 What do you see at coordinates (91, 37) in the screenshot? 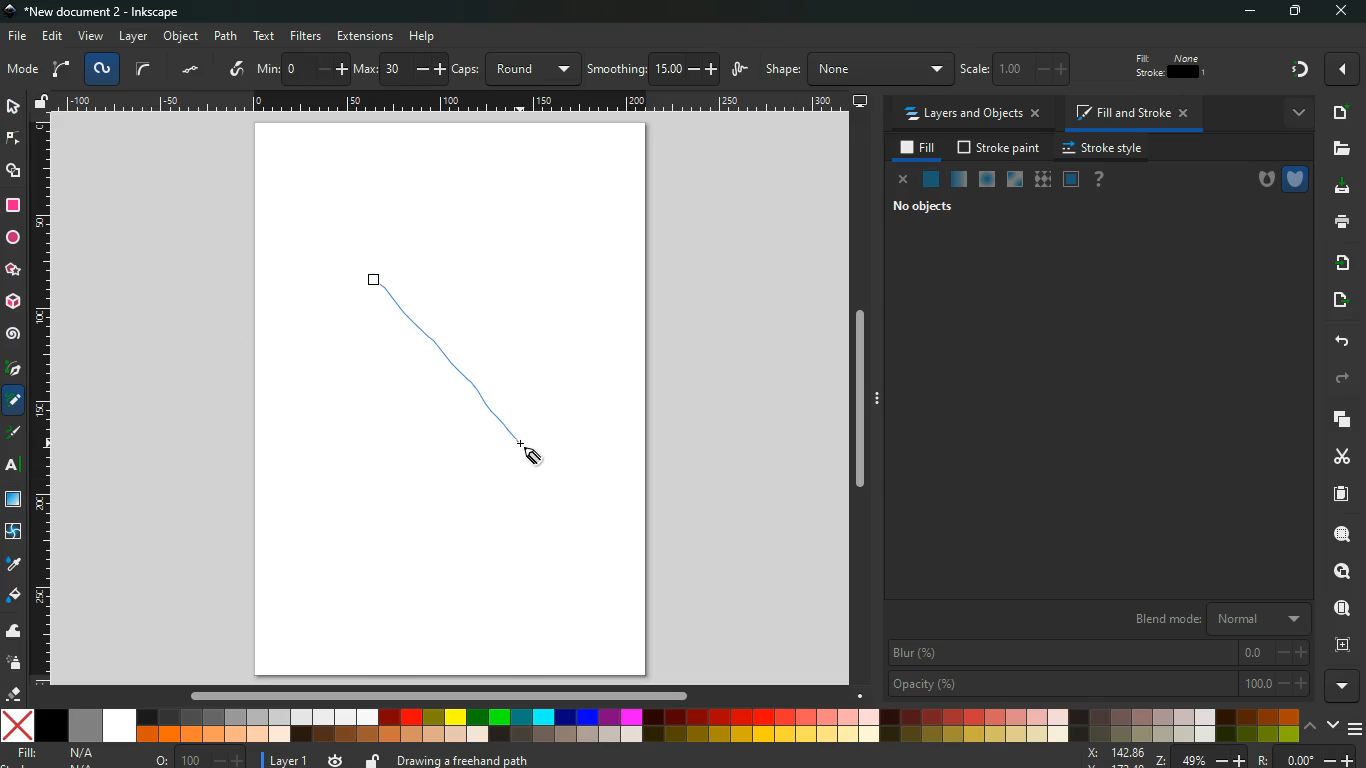
I see `view` at bounding box center [91, 37].